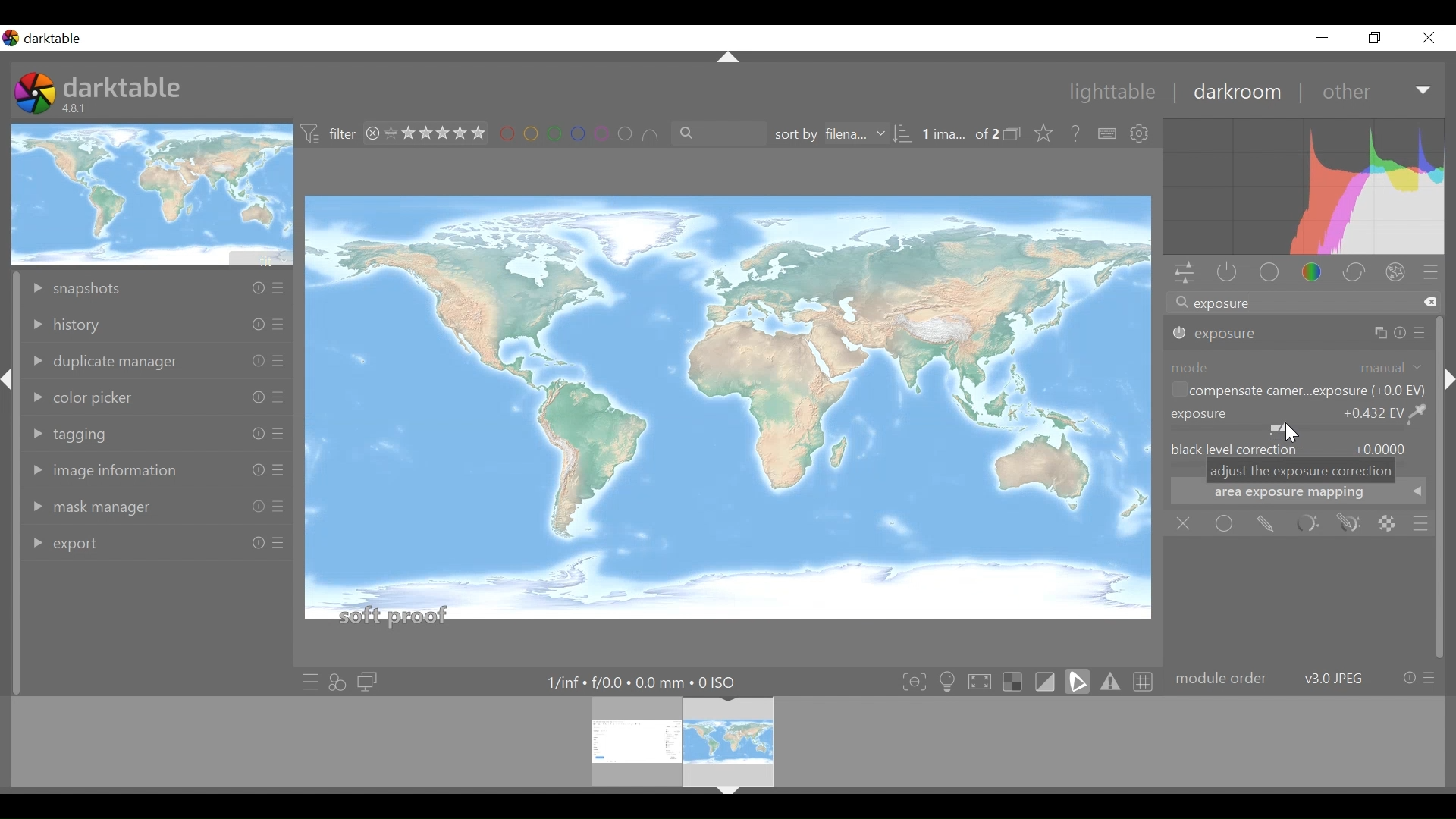  Describe the element at coordinates (249, 470) in the screenshot. I see `` at that location.